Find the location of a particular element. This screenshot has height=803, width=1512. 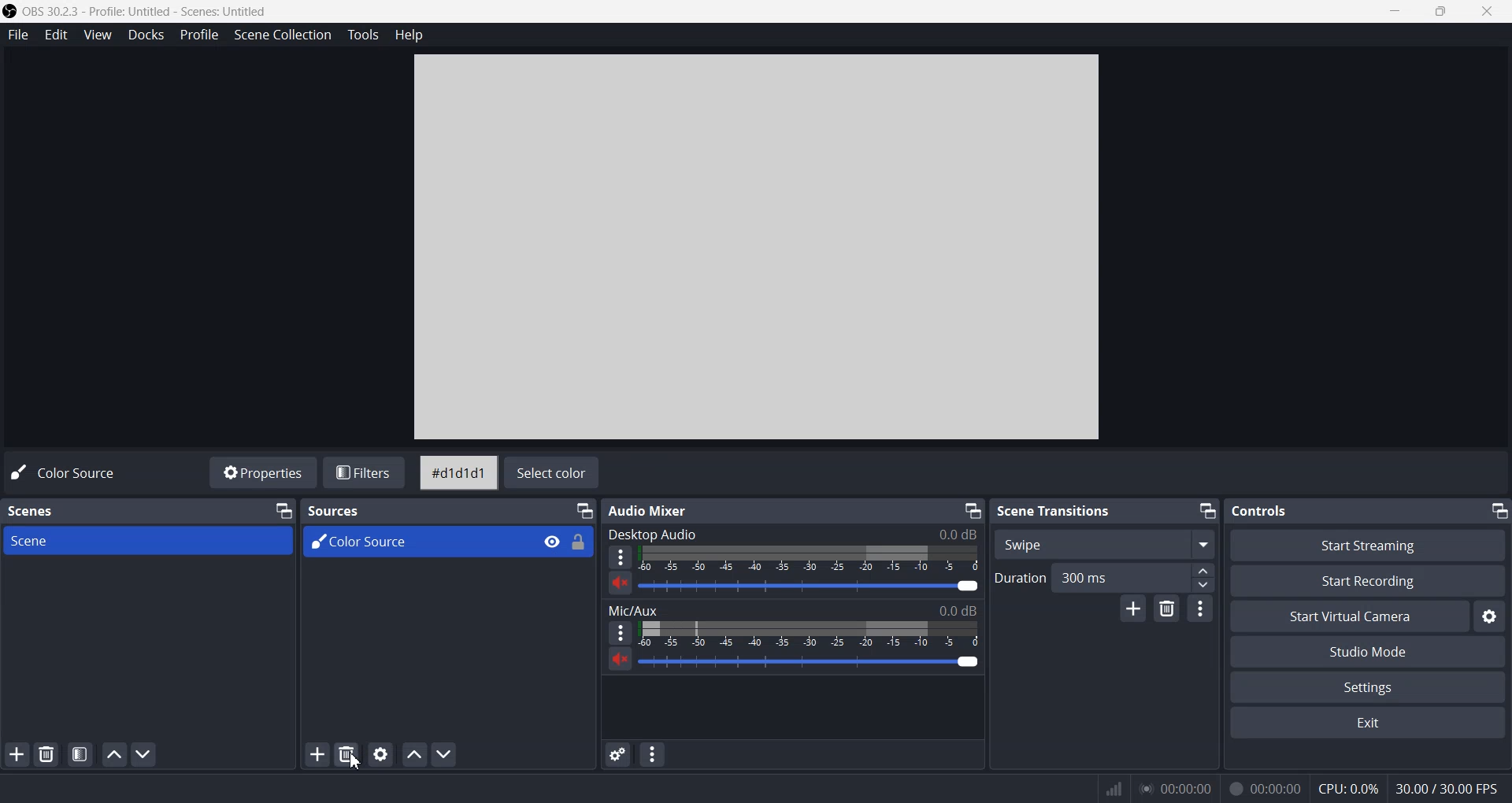

Preview Mode is located at coordinates (753, 246).